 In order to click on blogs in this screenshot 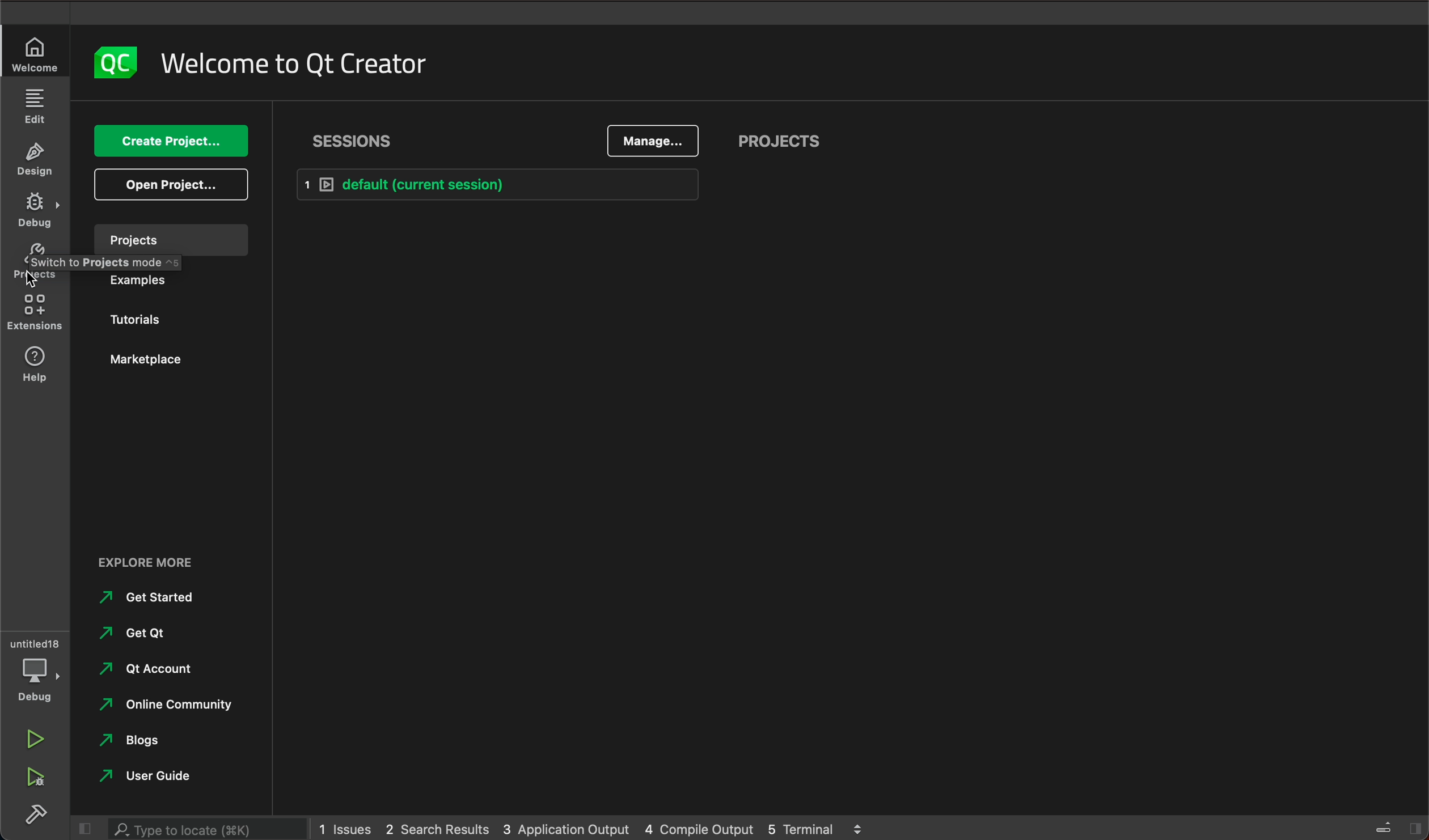, I will do `click(134, 740)`.